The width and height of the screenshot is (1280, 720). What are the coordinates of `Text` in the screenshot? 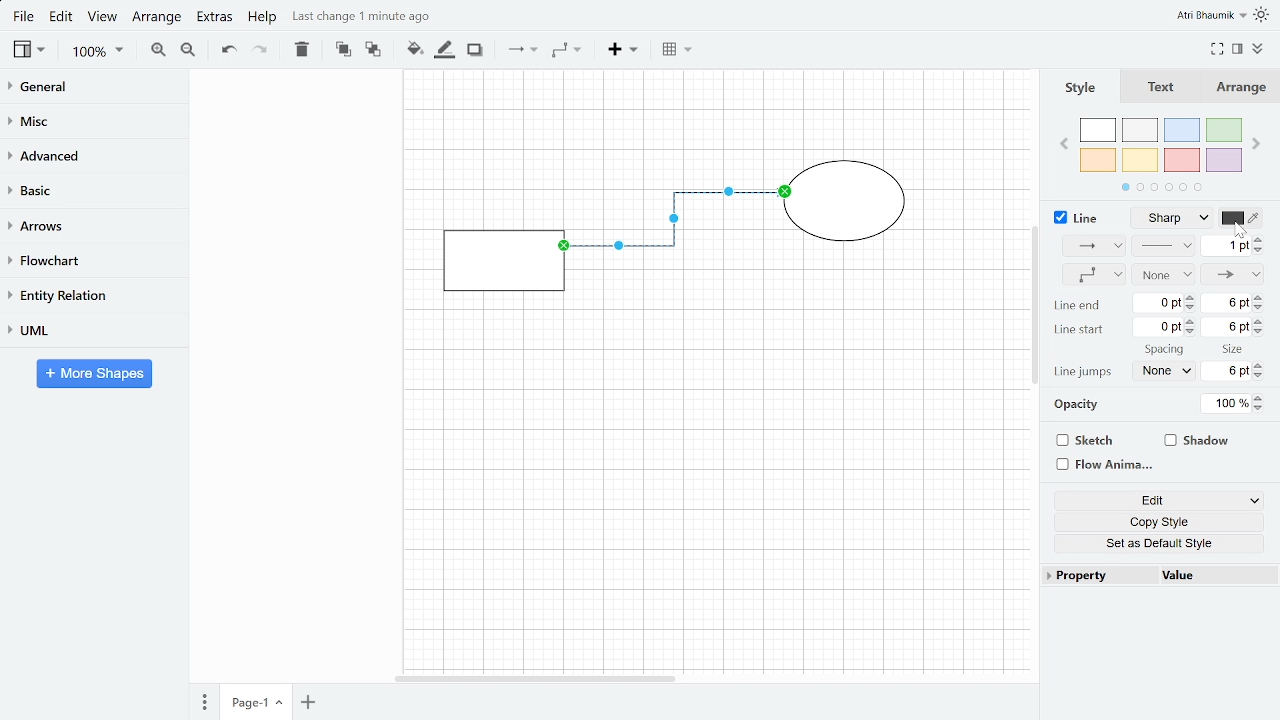 It's located at (1164, 88).